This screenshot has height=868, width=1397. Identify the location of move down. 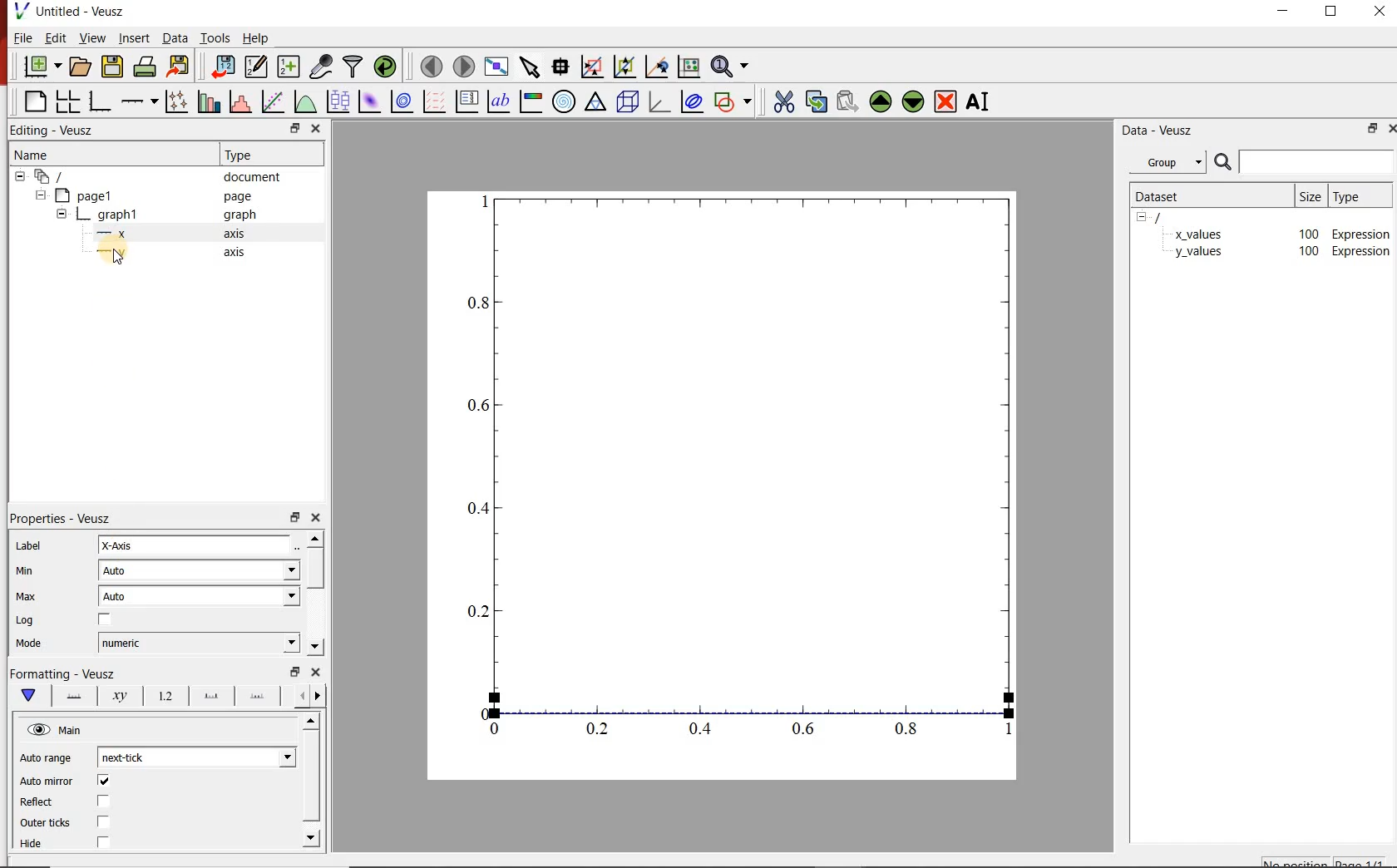
(314, 646).